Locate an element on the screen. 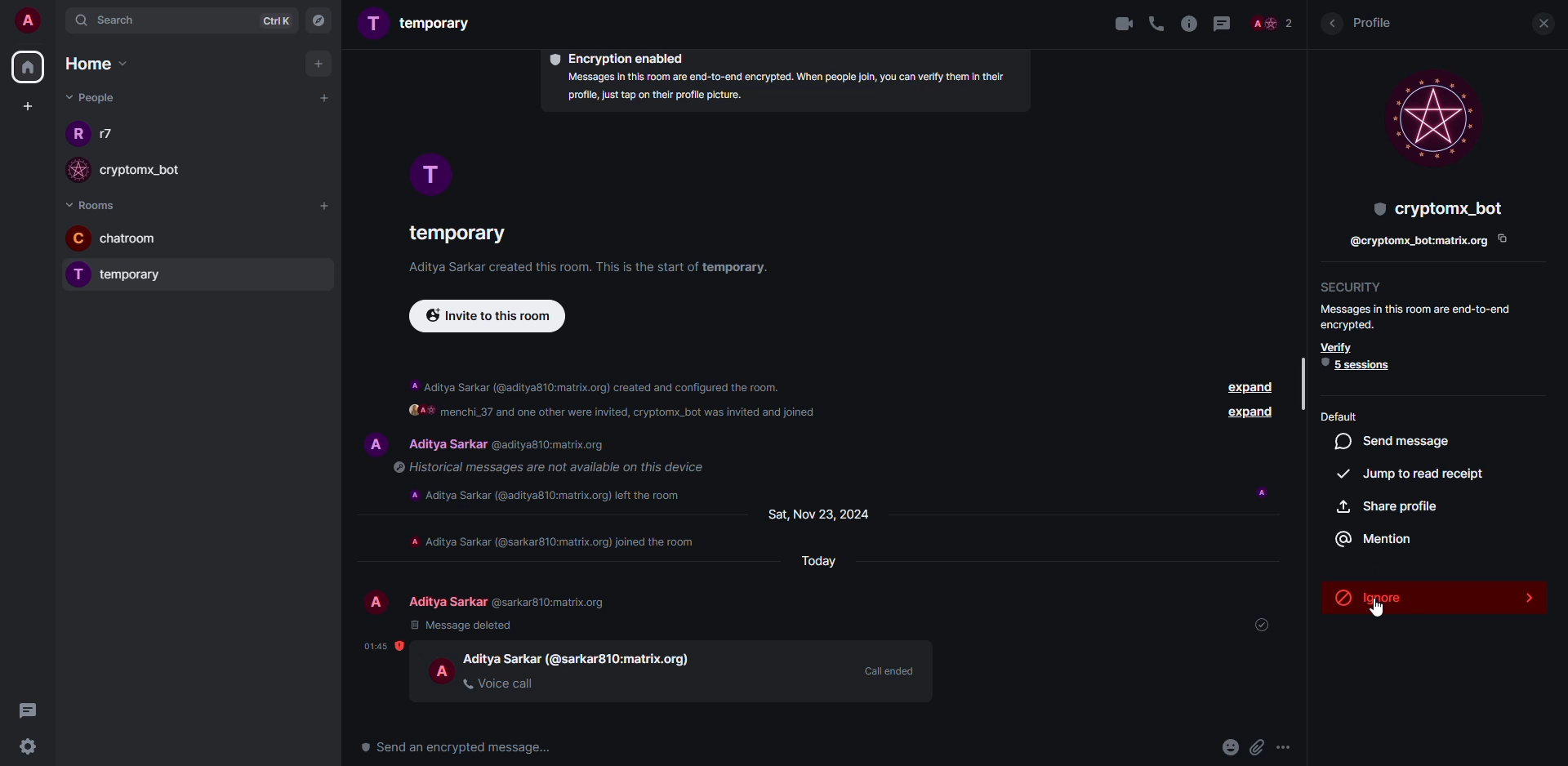 The width and height of the screenshot is (1568, 766). profile is located at coordinates (430, 175).